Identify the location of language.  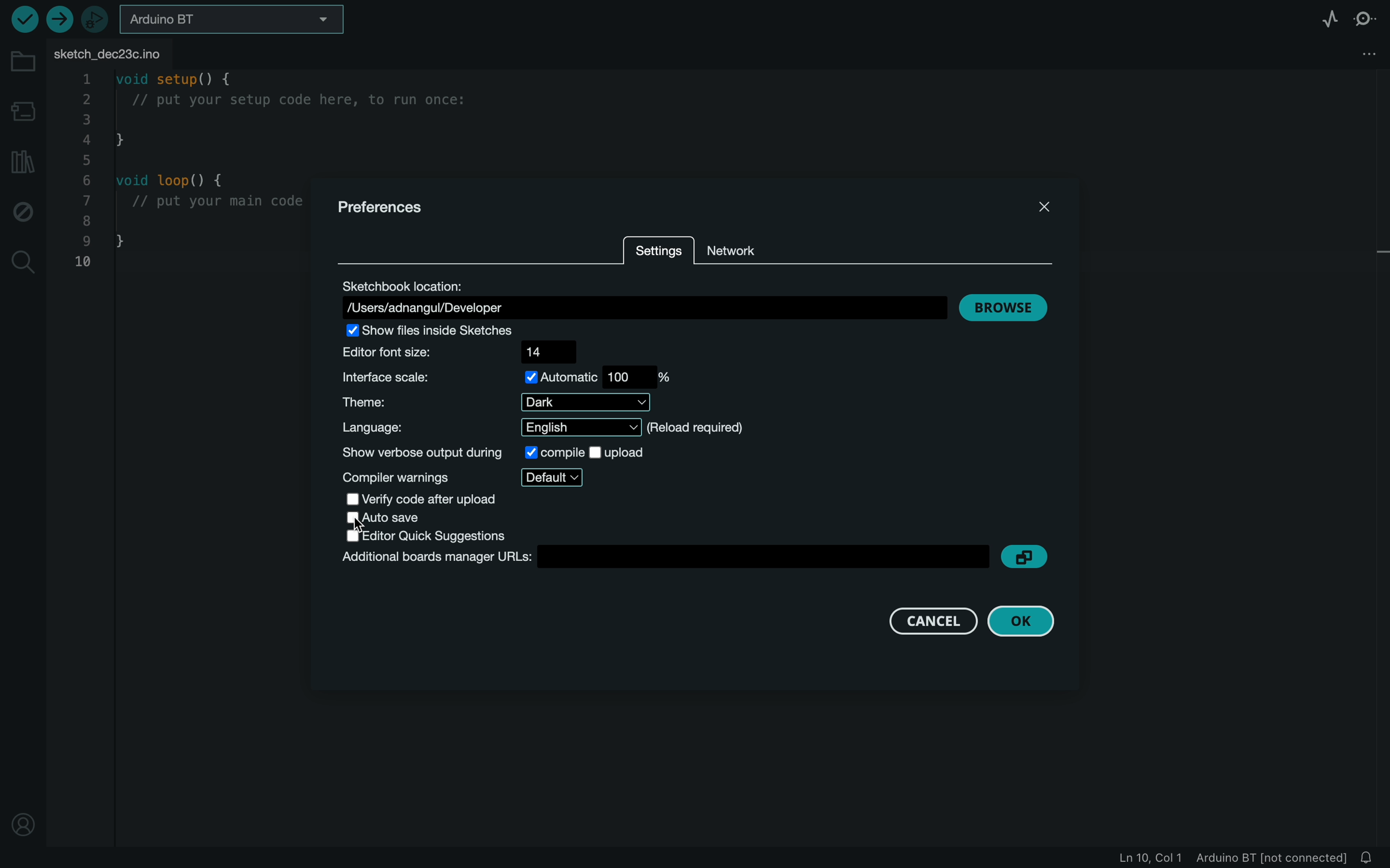
(549, 428).